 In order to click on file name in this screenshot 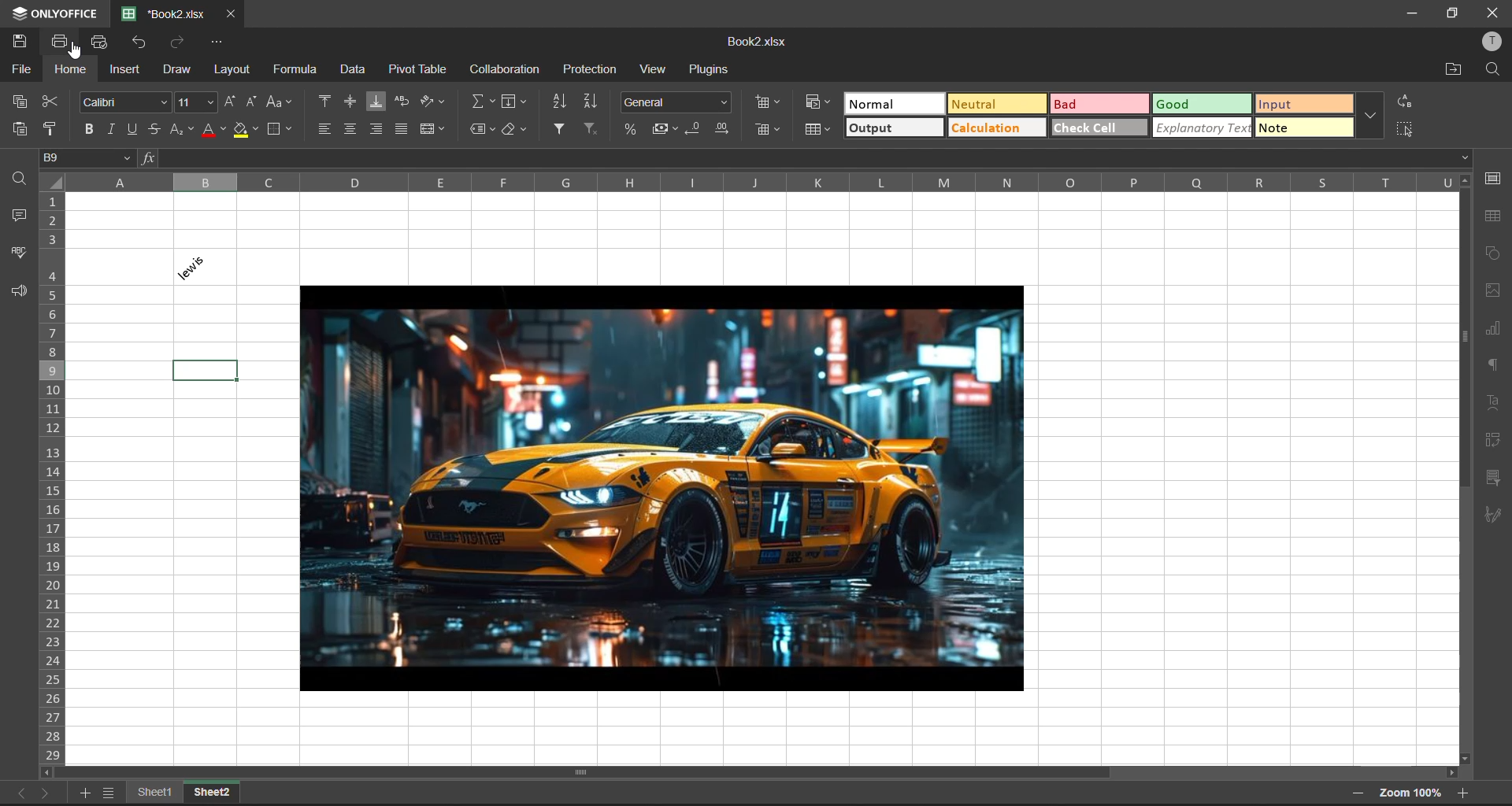, I will do `click(164, 14)`.